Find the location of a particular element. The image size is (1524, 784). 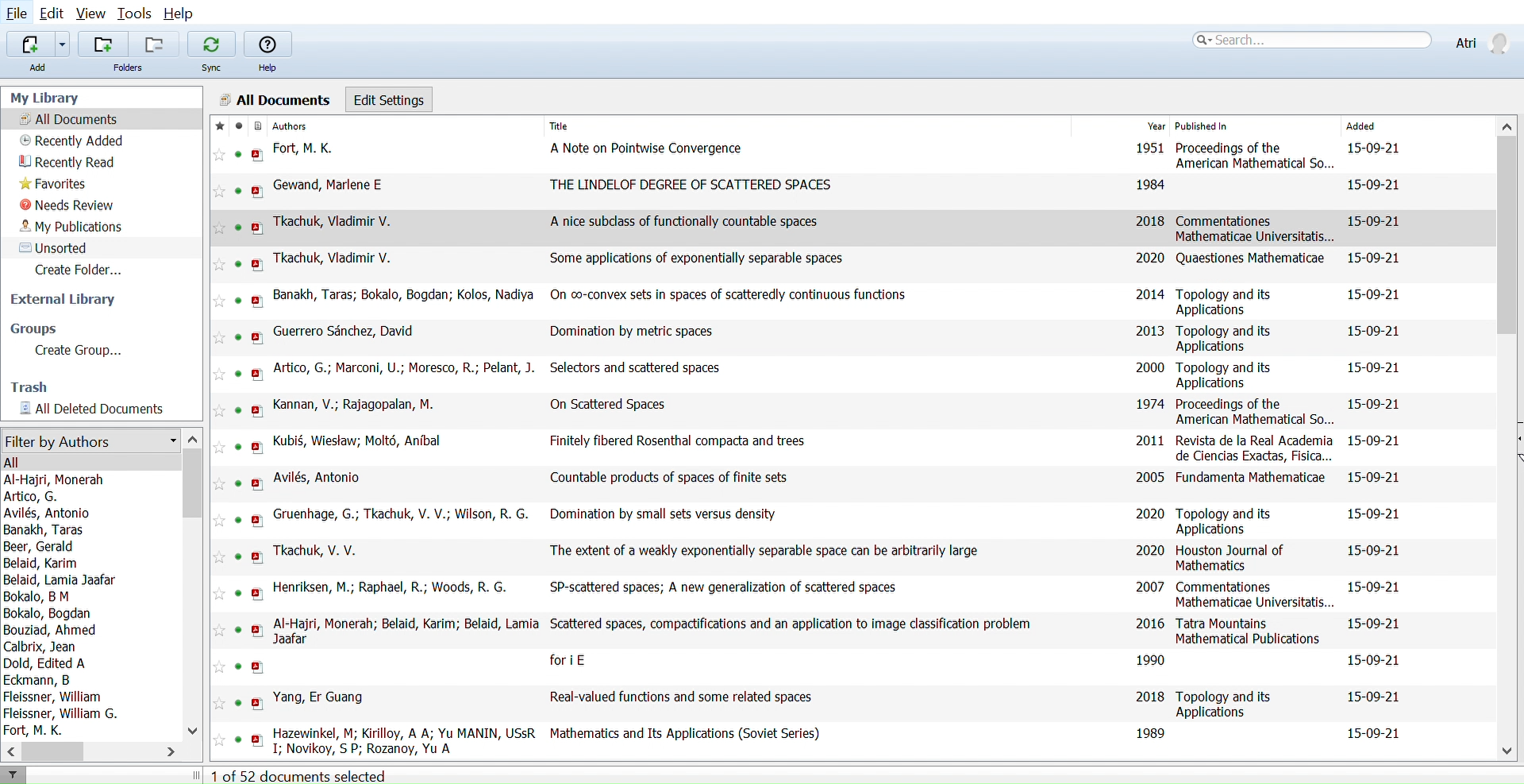

Create Group is located at coordinates (92, 352).